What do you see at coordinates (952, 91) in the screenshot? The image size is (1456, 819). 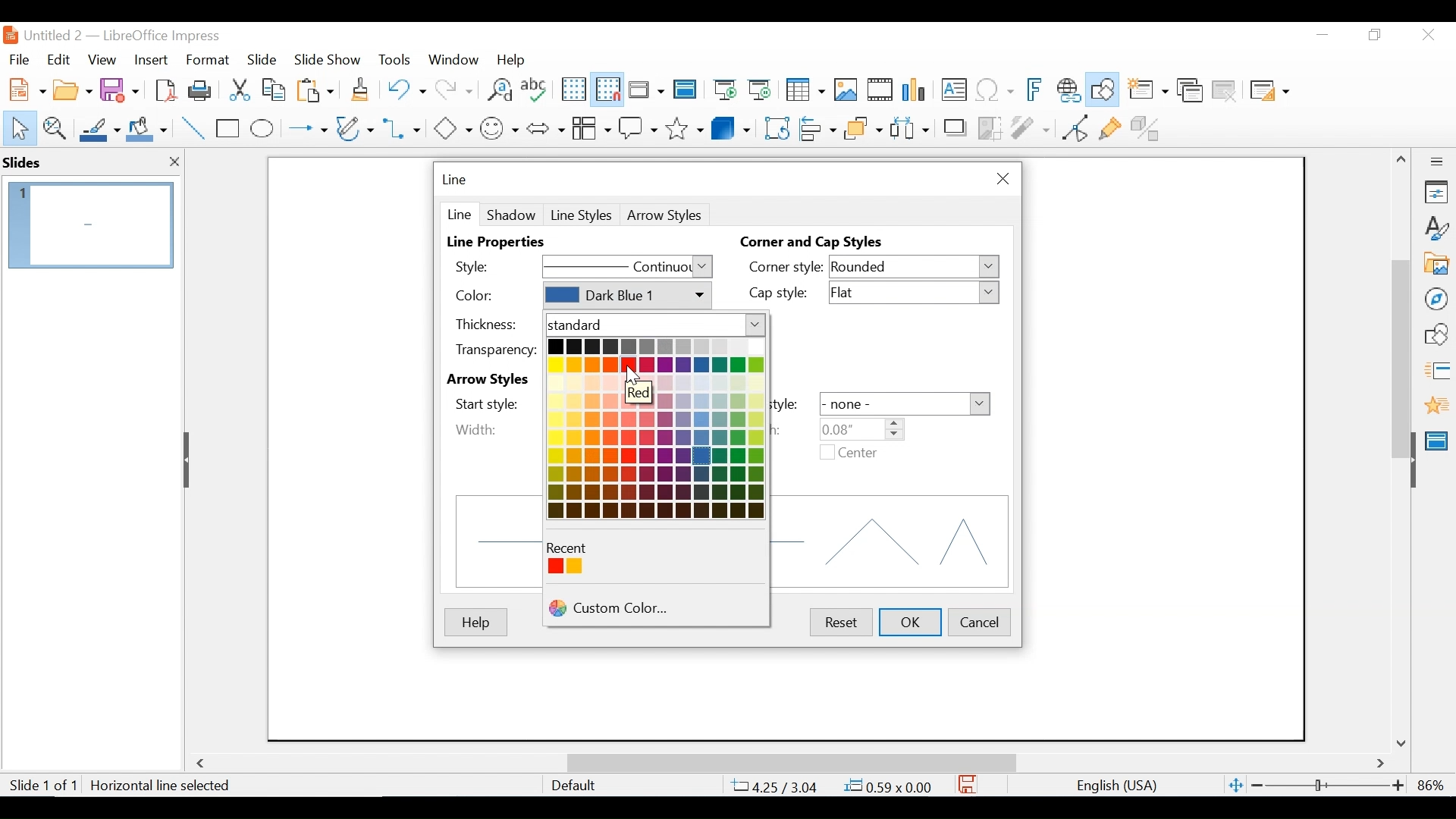 I see `Insert Textbox` at bounding box center [952, 91].